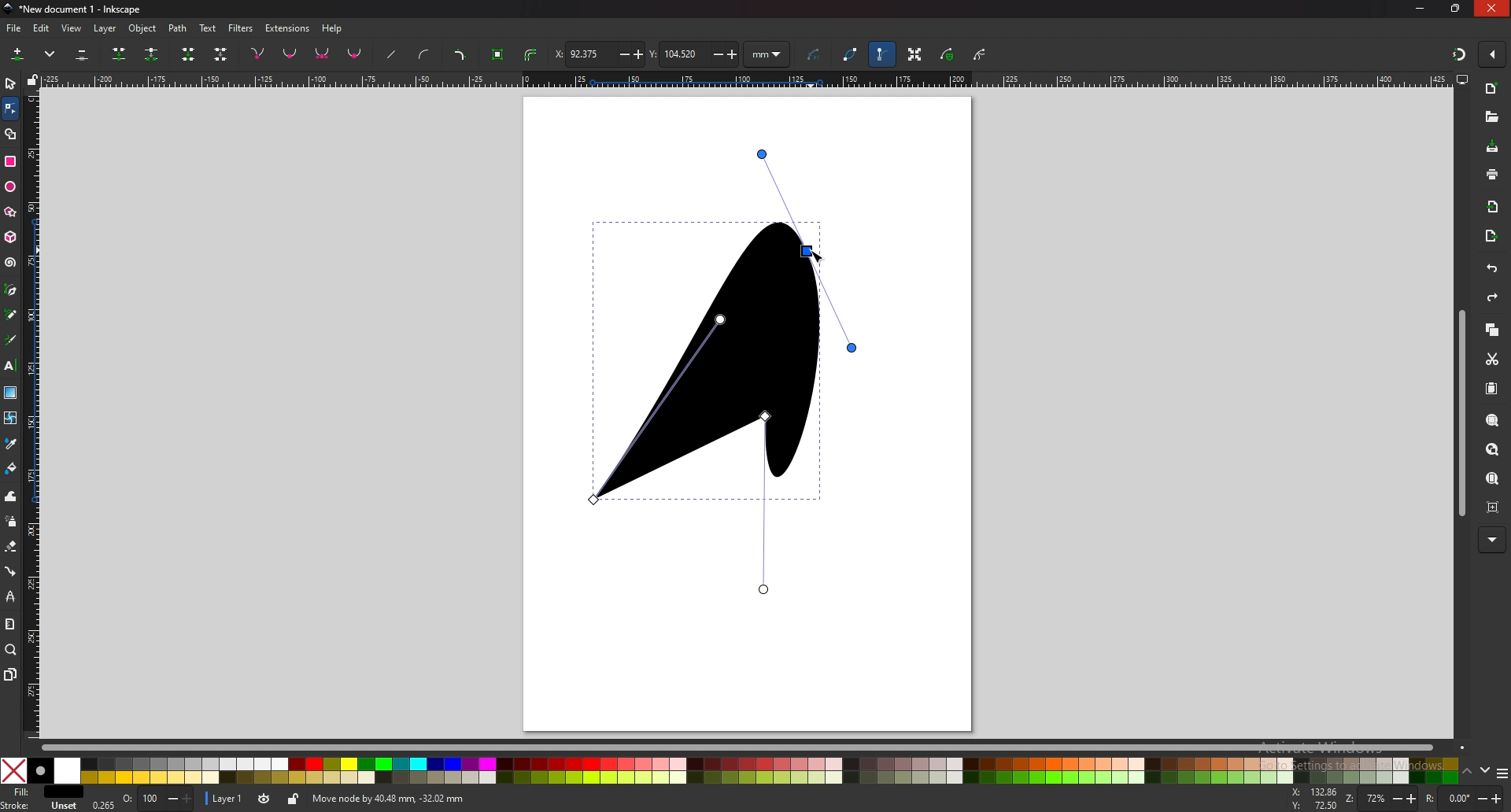 Image resolution: width=1511 pixels, height=812 pixels. What do you see at coordinates (1461, 414) in the screenshot?
I see `scroll bar` at bounding box center [1461, 414].